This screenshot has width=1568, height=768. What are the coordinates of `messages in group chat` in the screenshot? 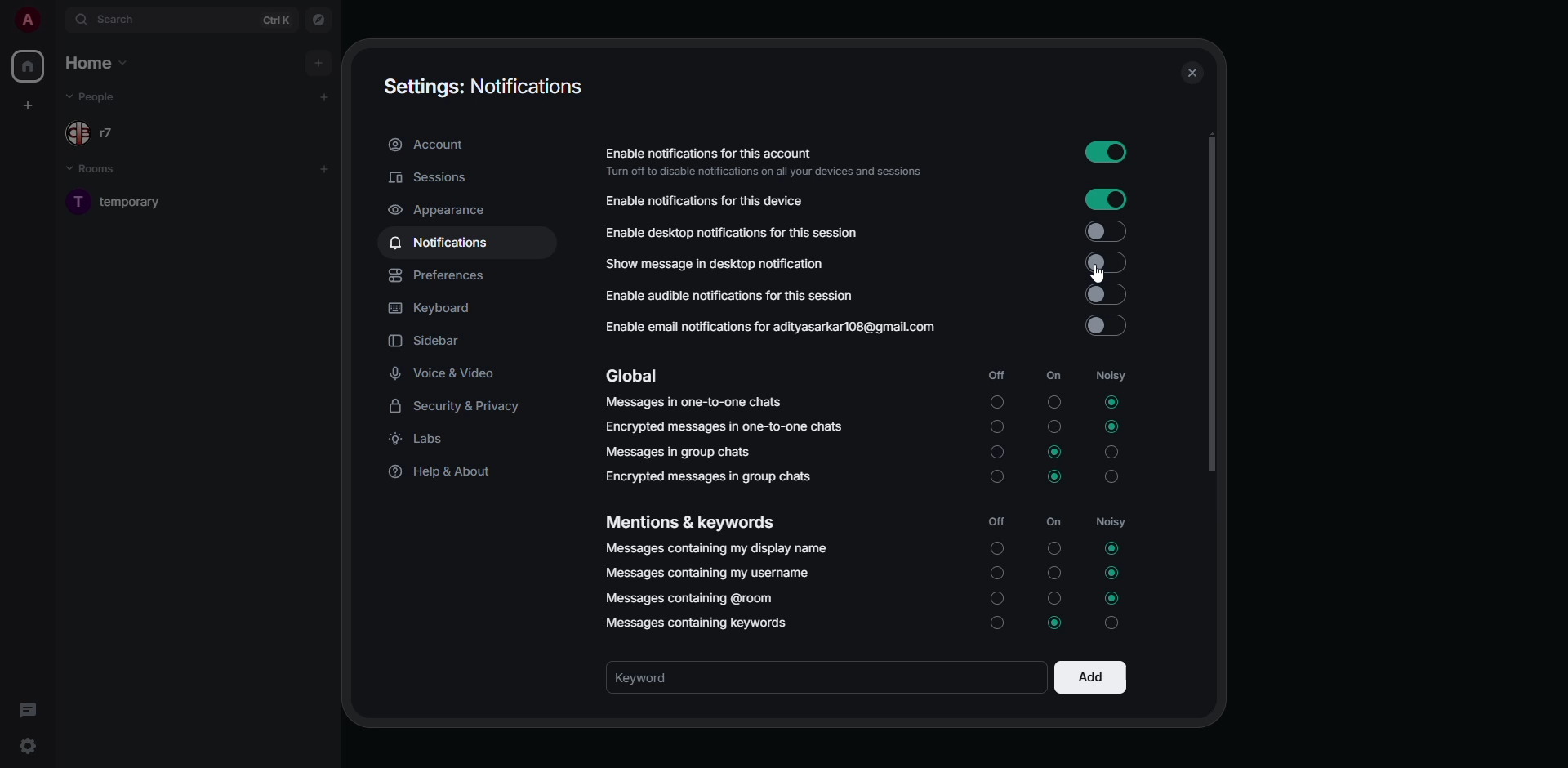 It's located at (681, 451).